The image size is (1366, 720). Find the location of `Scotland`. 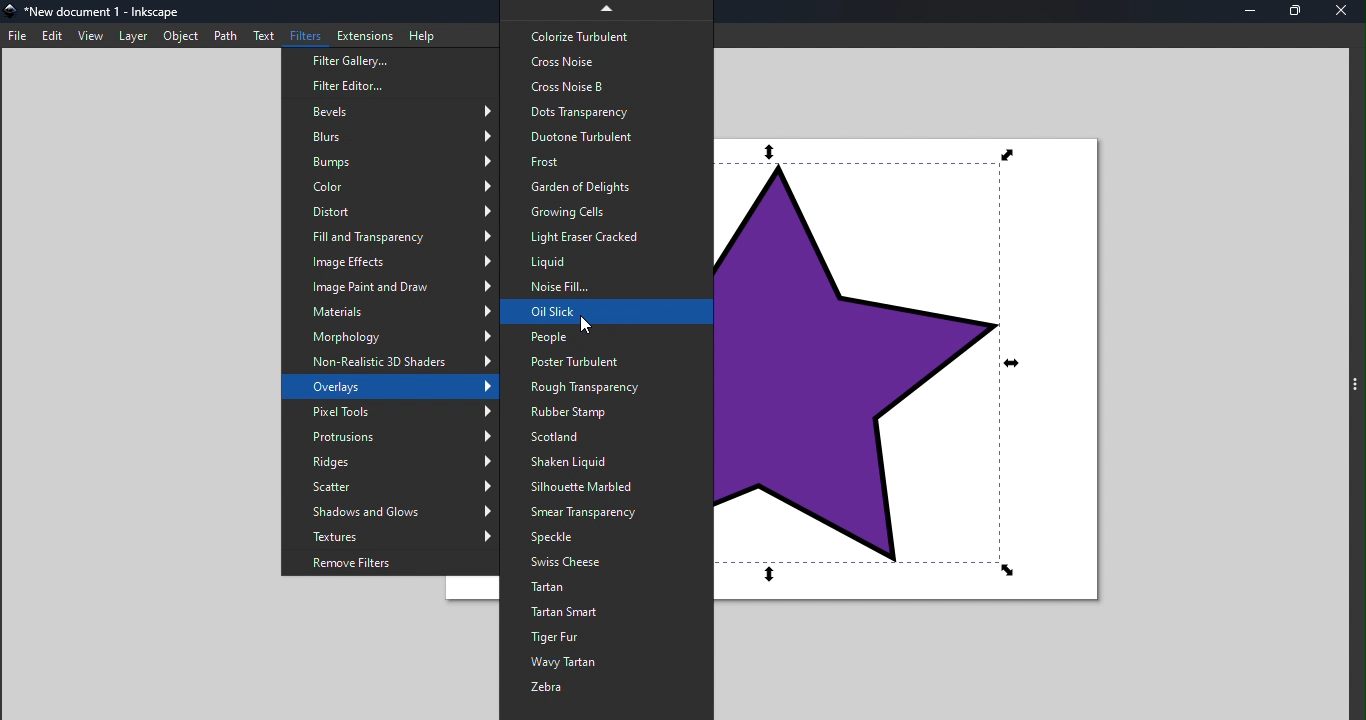

Scotland is located at coordinates (611, 436).